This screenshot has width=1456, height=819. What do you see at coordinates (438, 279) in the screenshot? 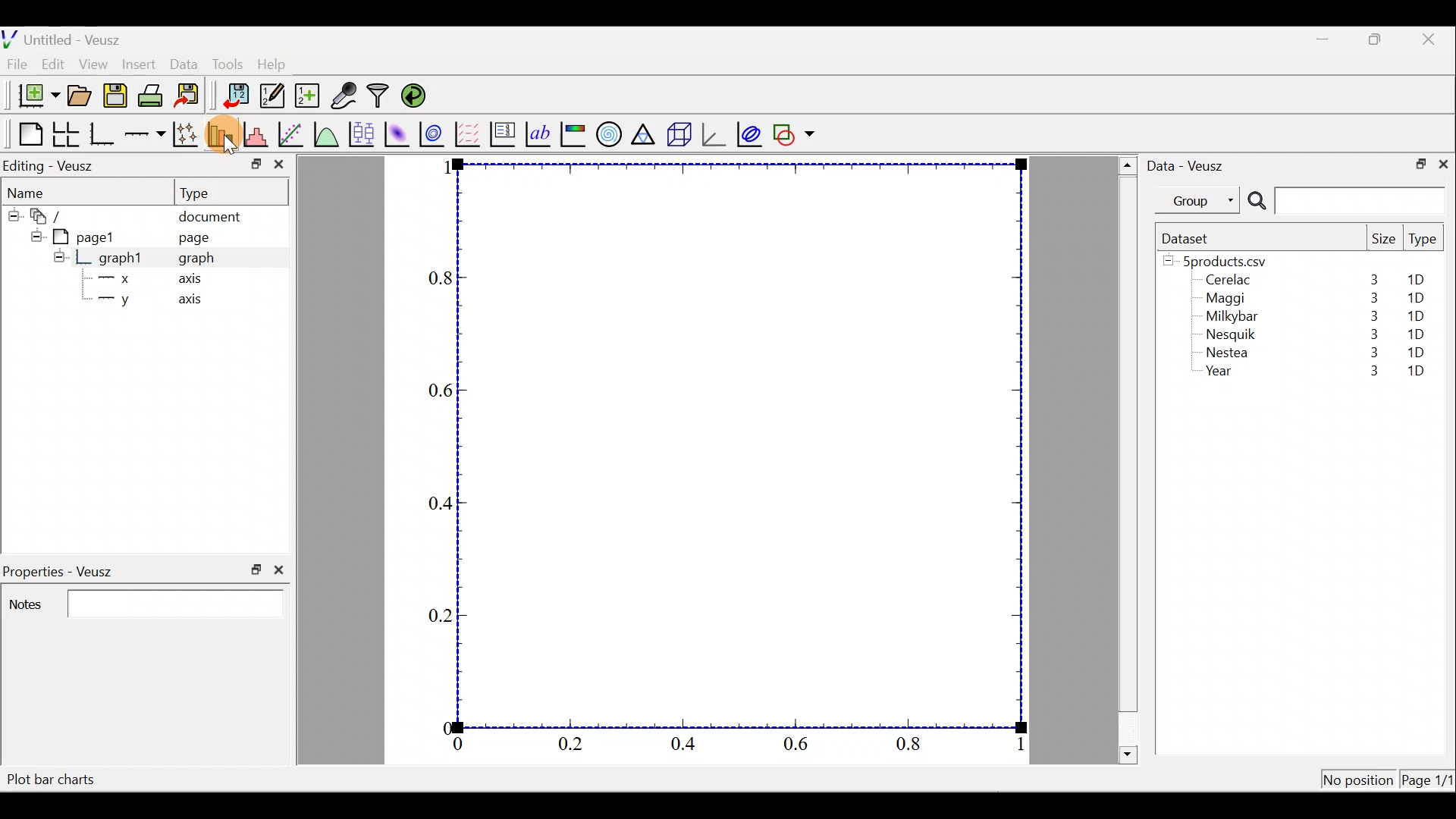
I see `0.8` at bounding box center [438, 279].